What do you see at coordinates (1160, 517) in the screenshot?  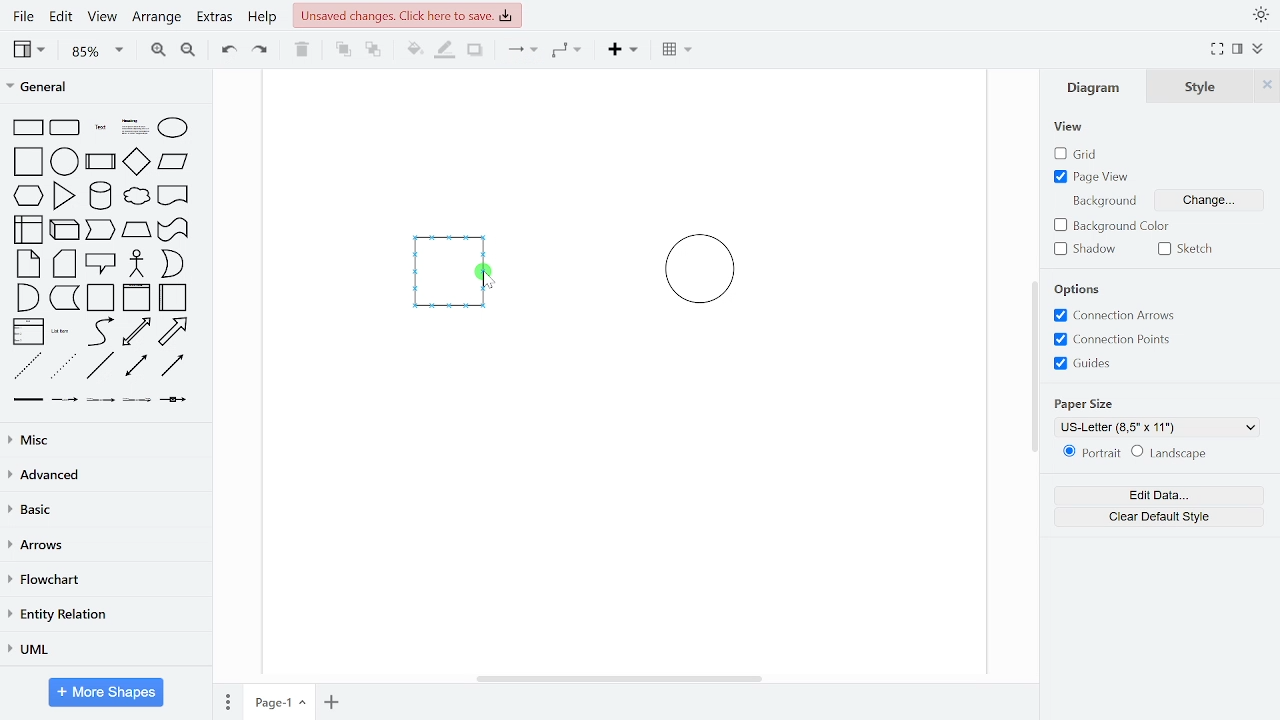 I see `clear default style` at bounding box center [1160, 517].